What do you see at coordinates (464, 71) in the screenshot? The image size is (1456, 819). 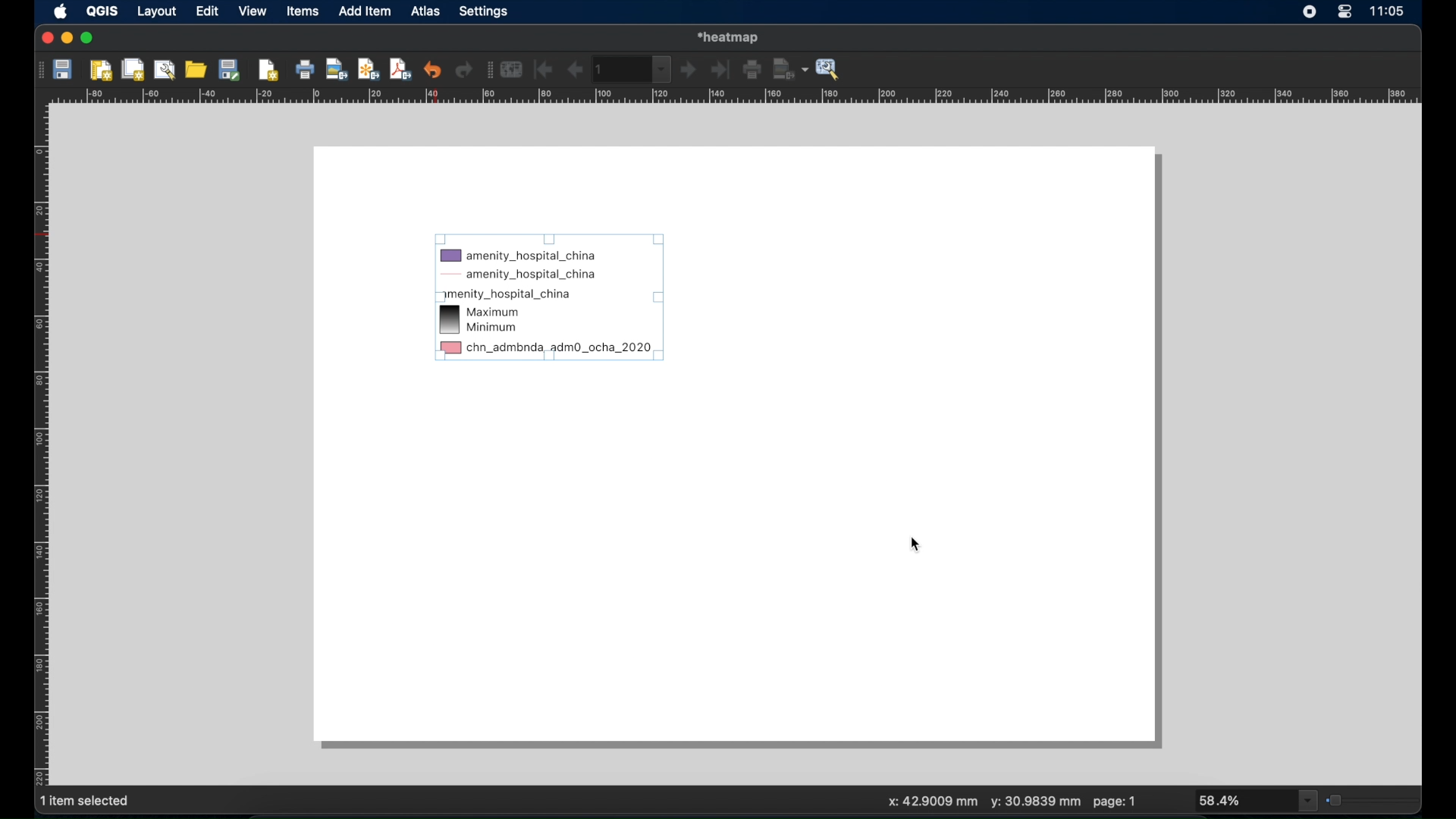 I see `redo ` at bounding box center [464, 71].